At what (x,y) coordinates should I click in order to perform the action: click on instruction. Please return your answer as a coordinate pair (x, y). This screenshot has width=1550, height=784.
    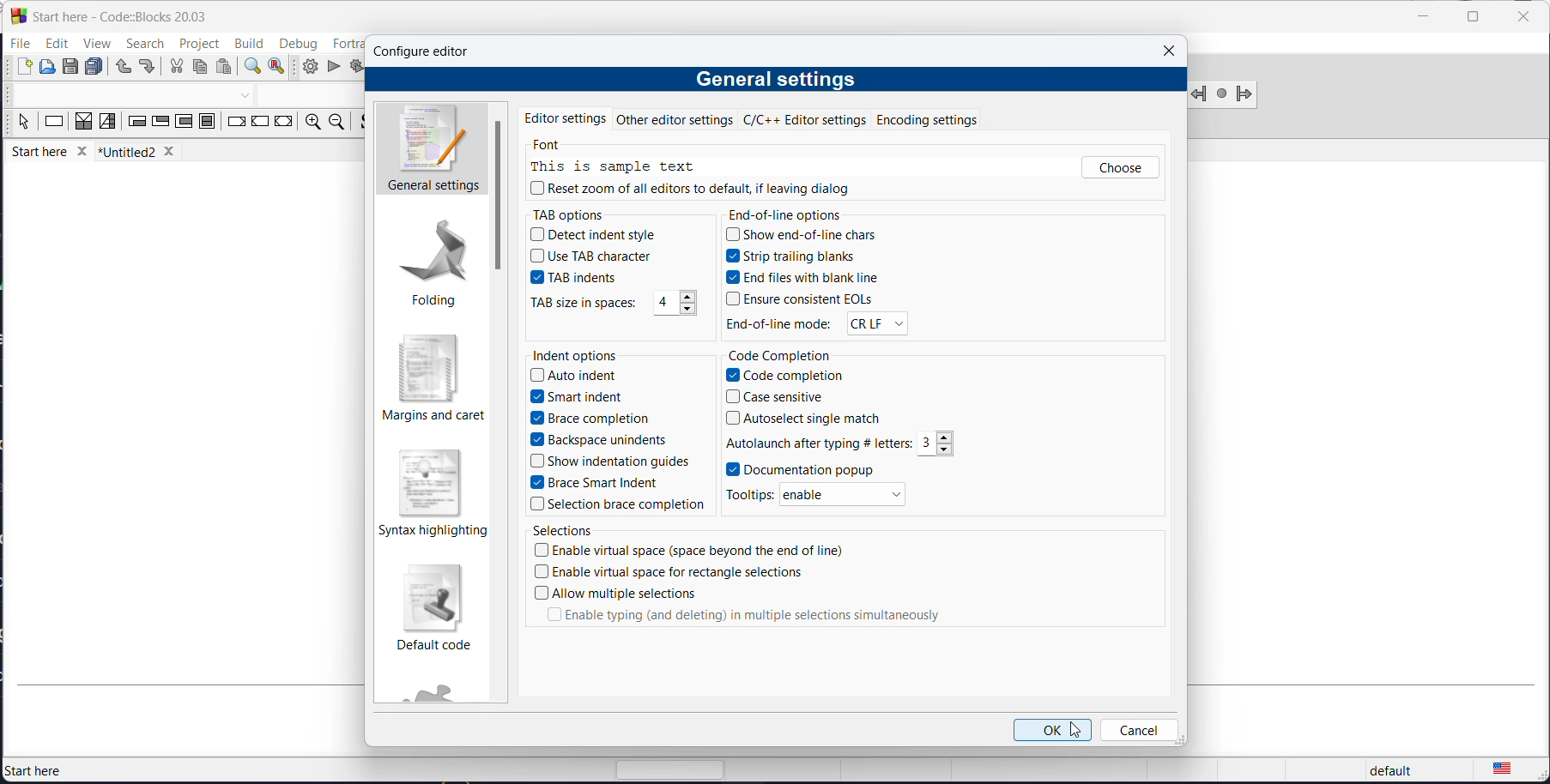
    Looking at the image, I should click on (54, 124).